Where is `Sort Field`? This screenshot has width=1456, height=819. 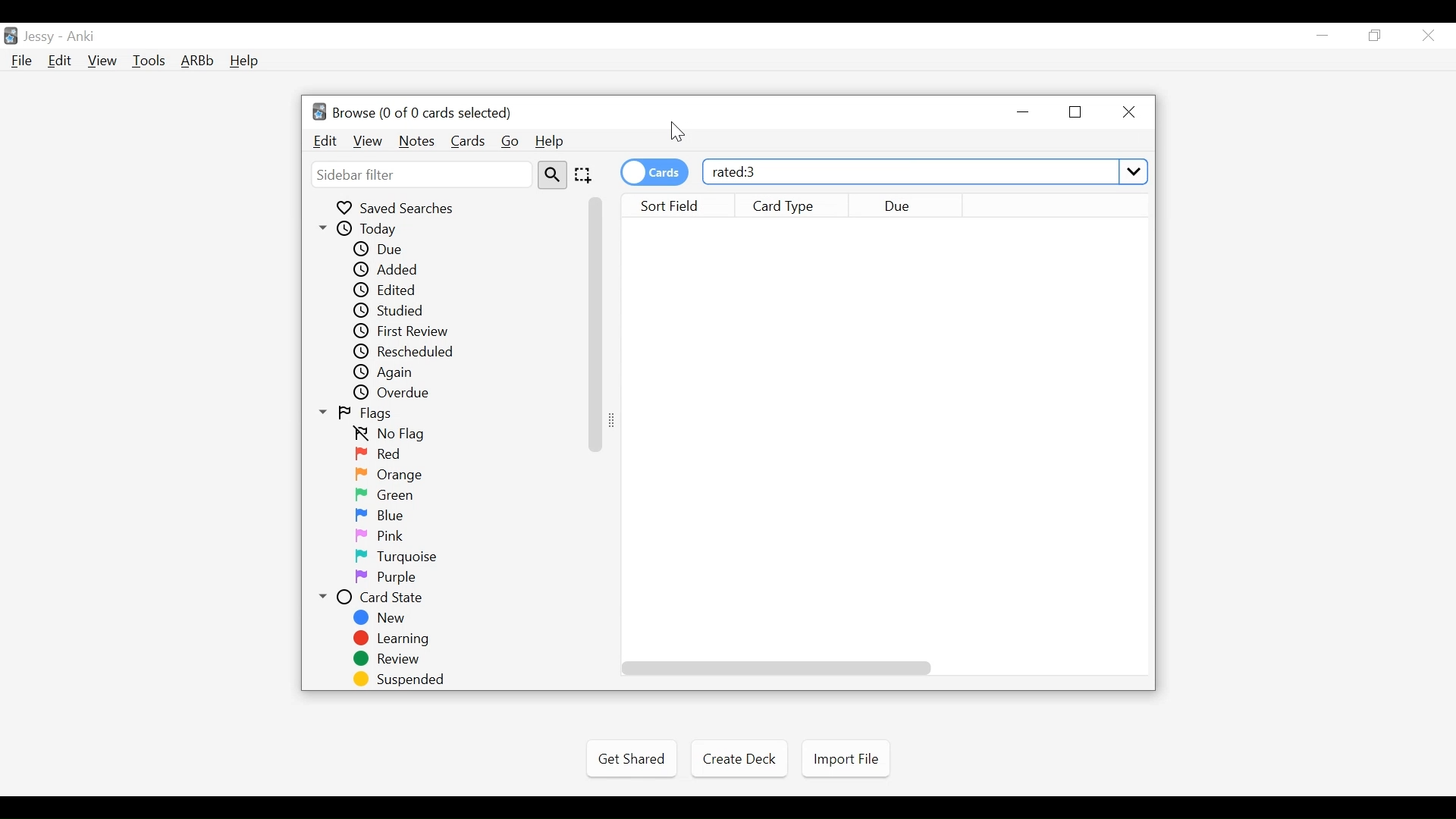
Sort Field is located at coordinates (673, 206).